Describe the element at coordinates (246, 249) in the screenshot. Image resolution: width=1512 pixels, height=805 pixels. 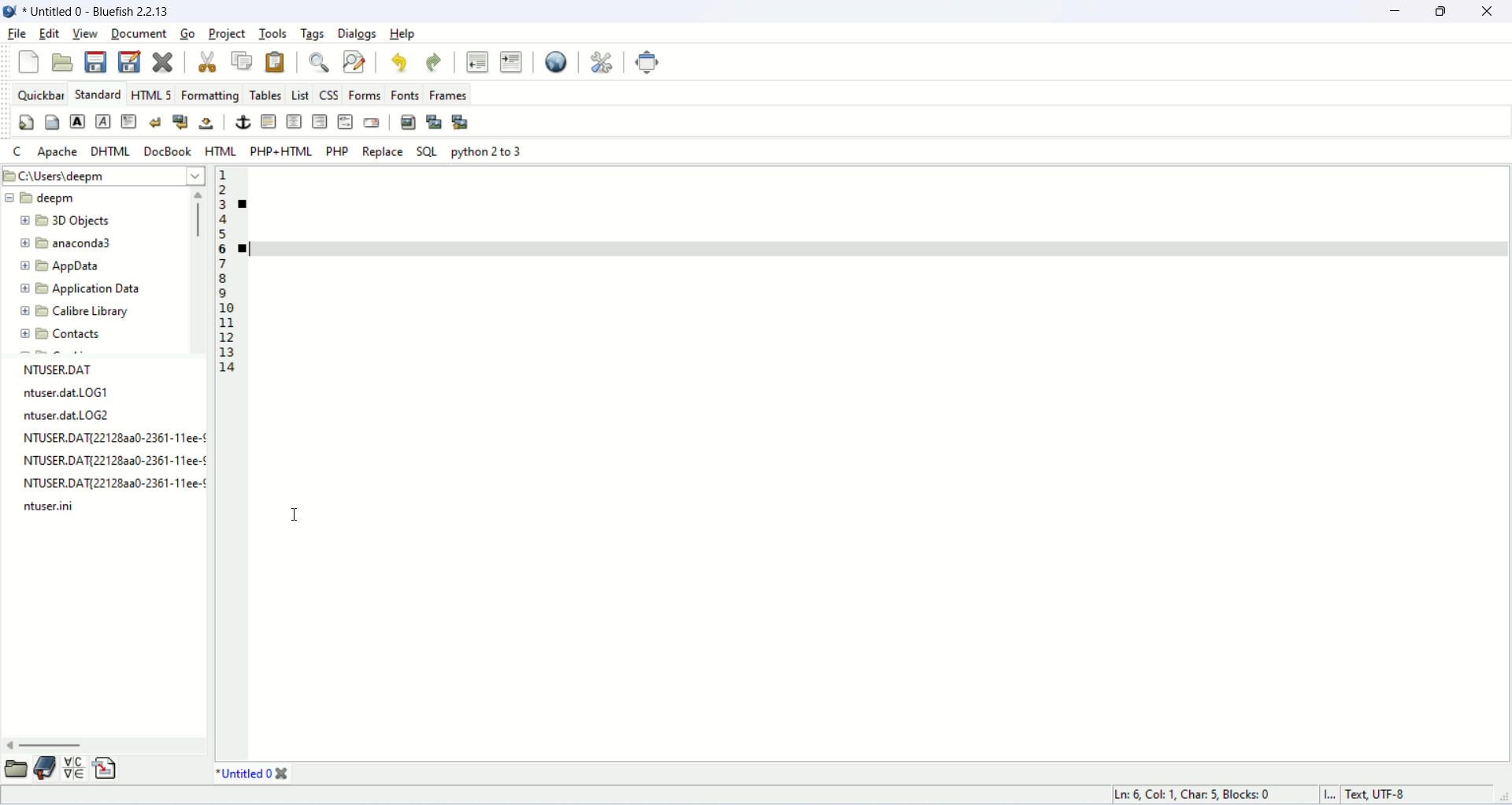
I see `bookmark` at that location.